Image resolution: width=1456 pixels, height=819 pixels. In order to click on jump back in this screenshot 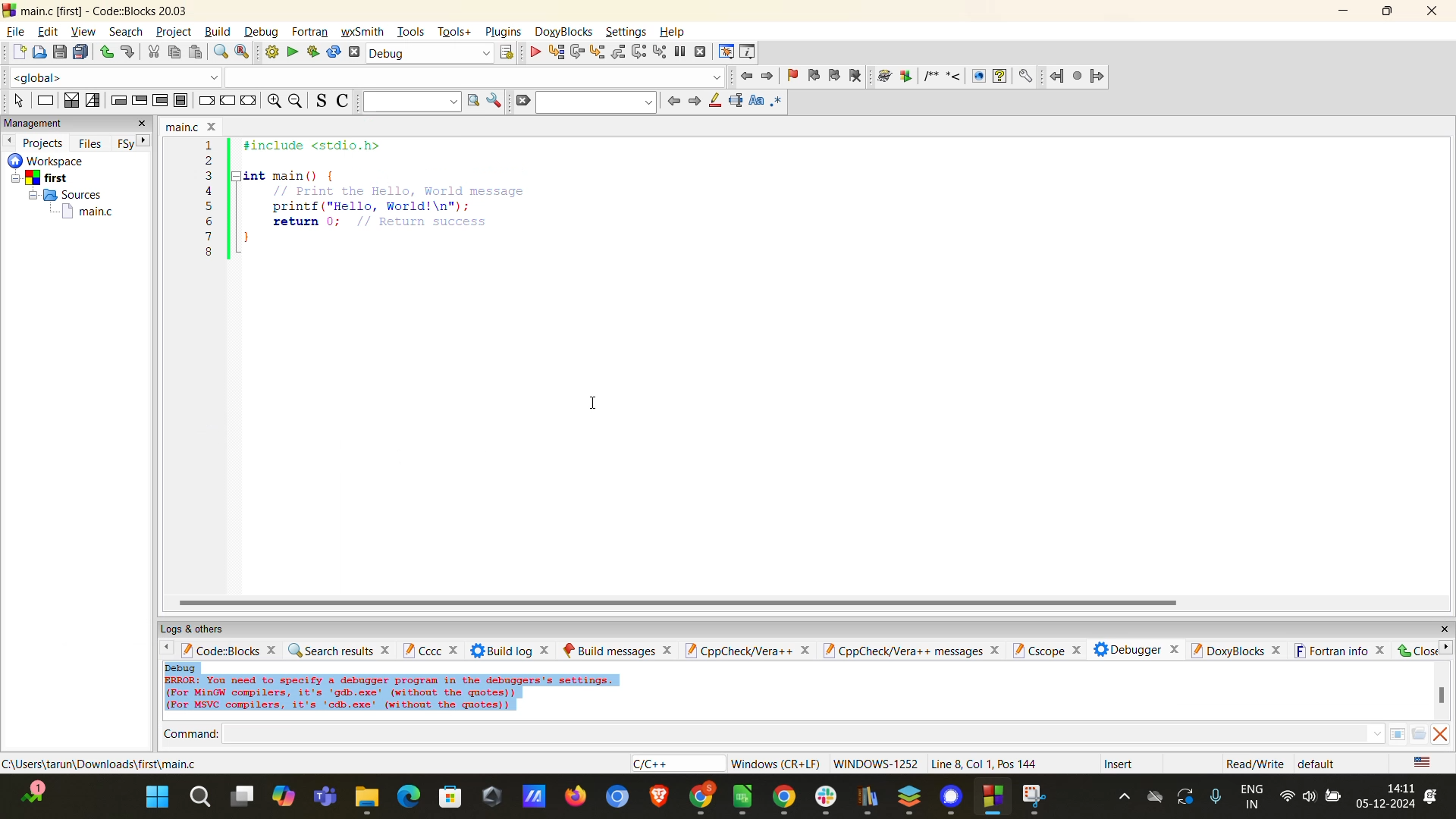, I will do `click(743, 78)`.